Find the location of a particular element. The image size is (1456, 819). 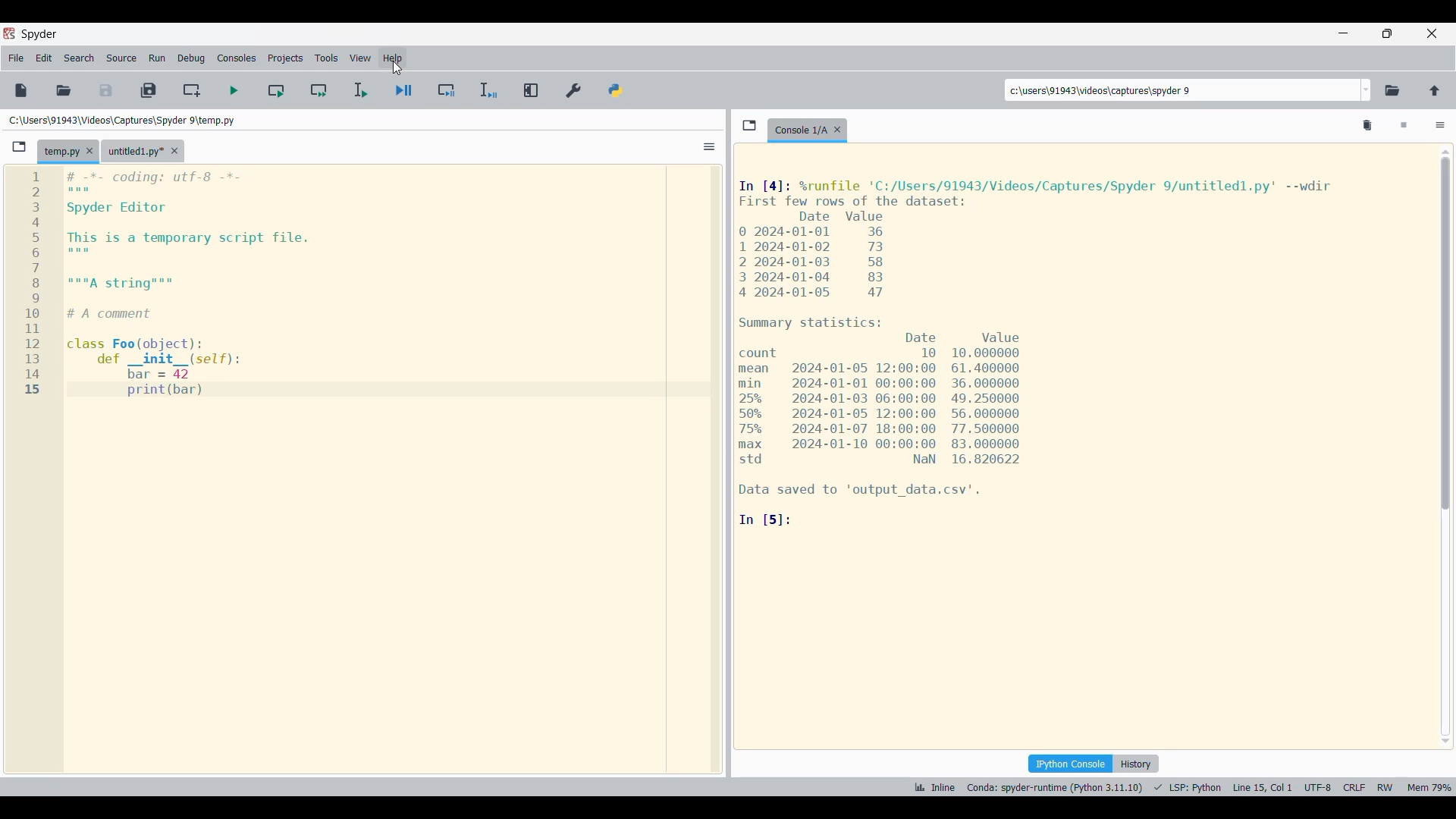

Debug menu is located at coordinates (190, 58).